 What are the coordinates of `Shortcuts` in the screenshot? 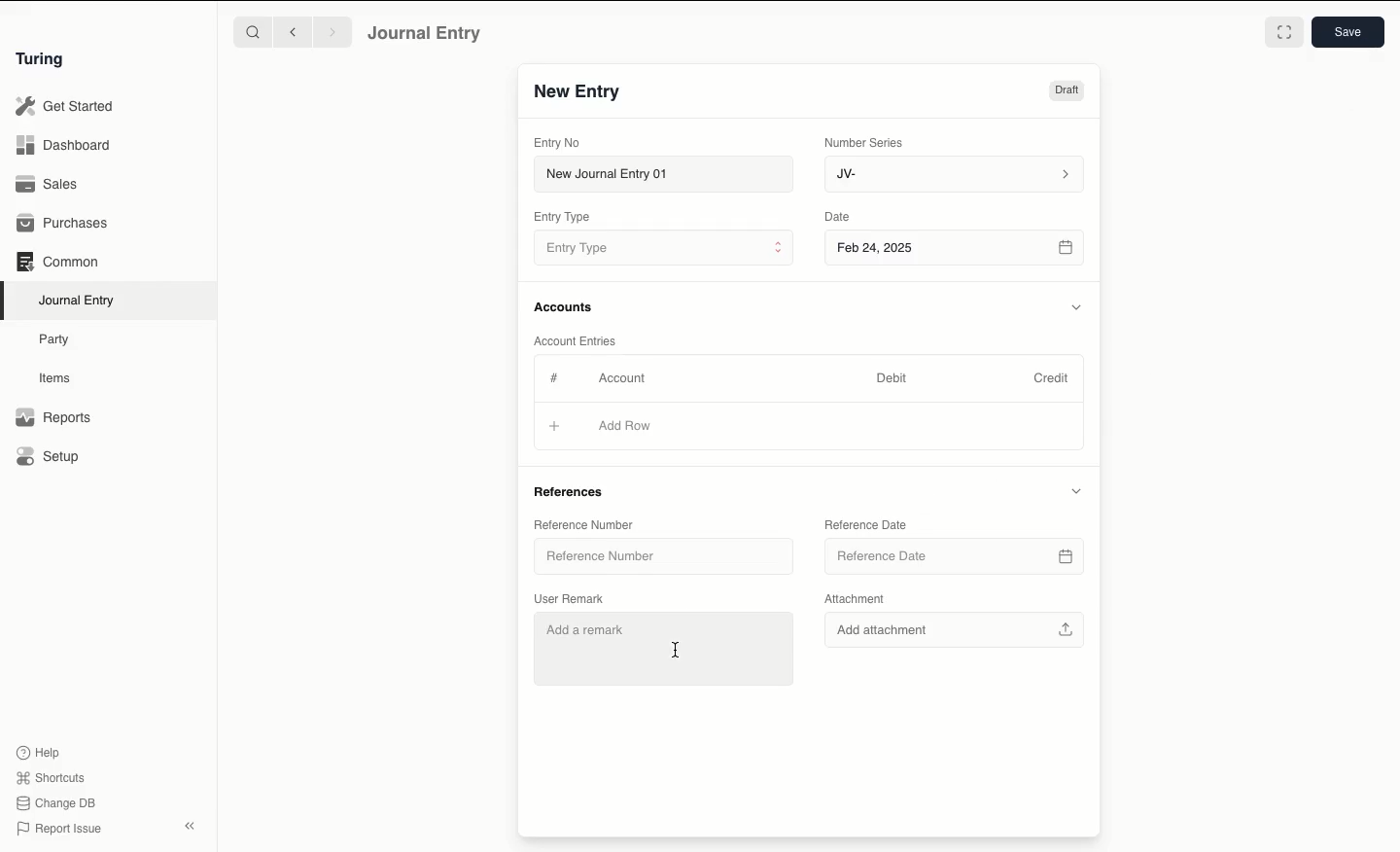 It's located at (53, 778).